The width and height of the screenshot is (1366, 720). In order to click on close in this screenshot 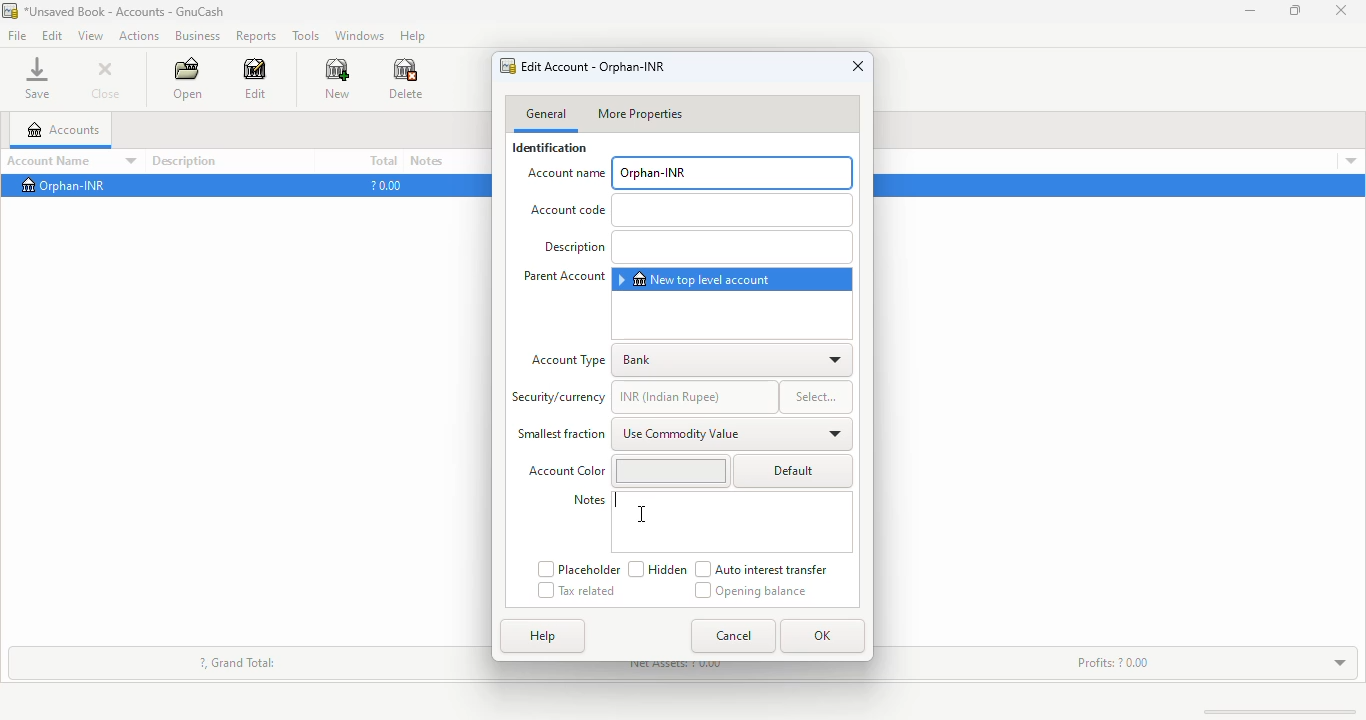, I will do `click(1341, 10)`.